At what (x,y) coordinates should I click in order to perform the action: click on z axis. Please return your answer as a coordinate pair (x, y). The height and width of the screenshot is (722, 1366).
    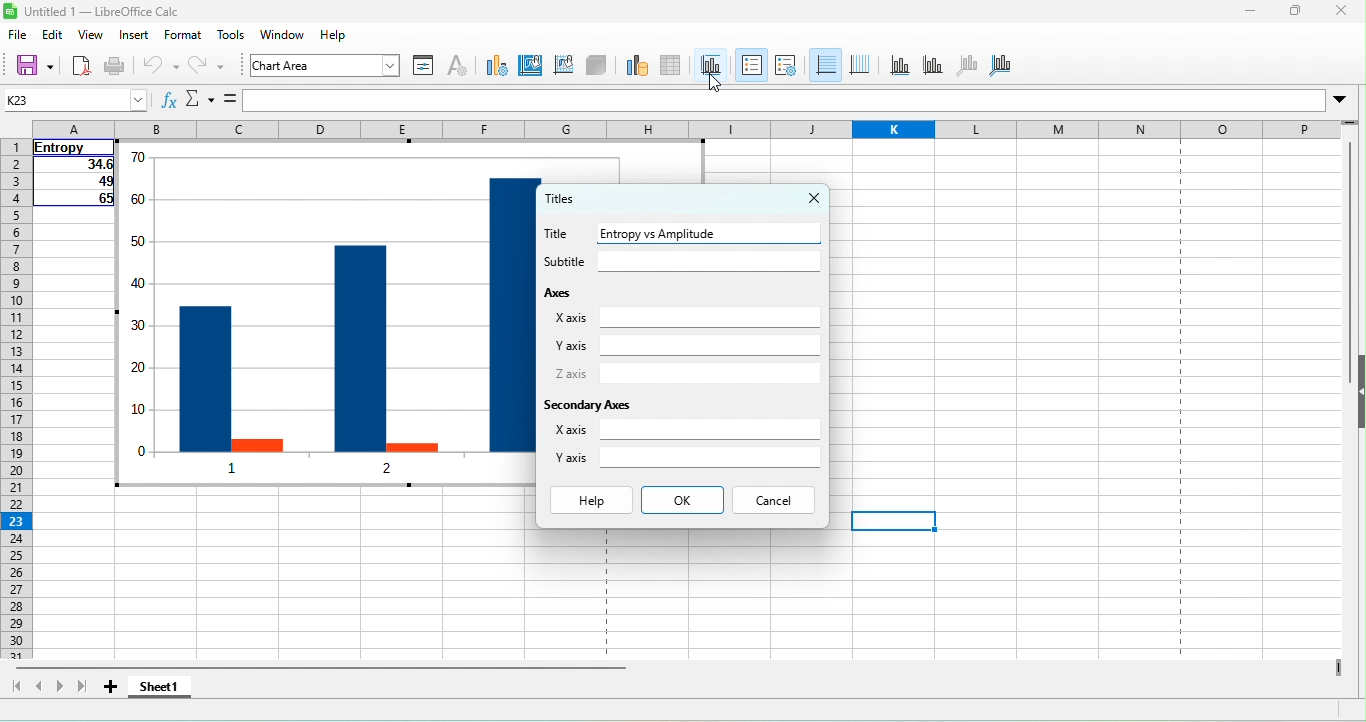
    Looking at the image, I should click on (682, 373).